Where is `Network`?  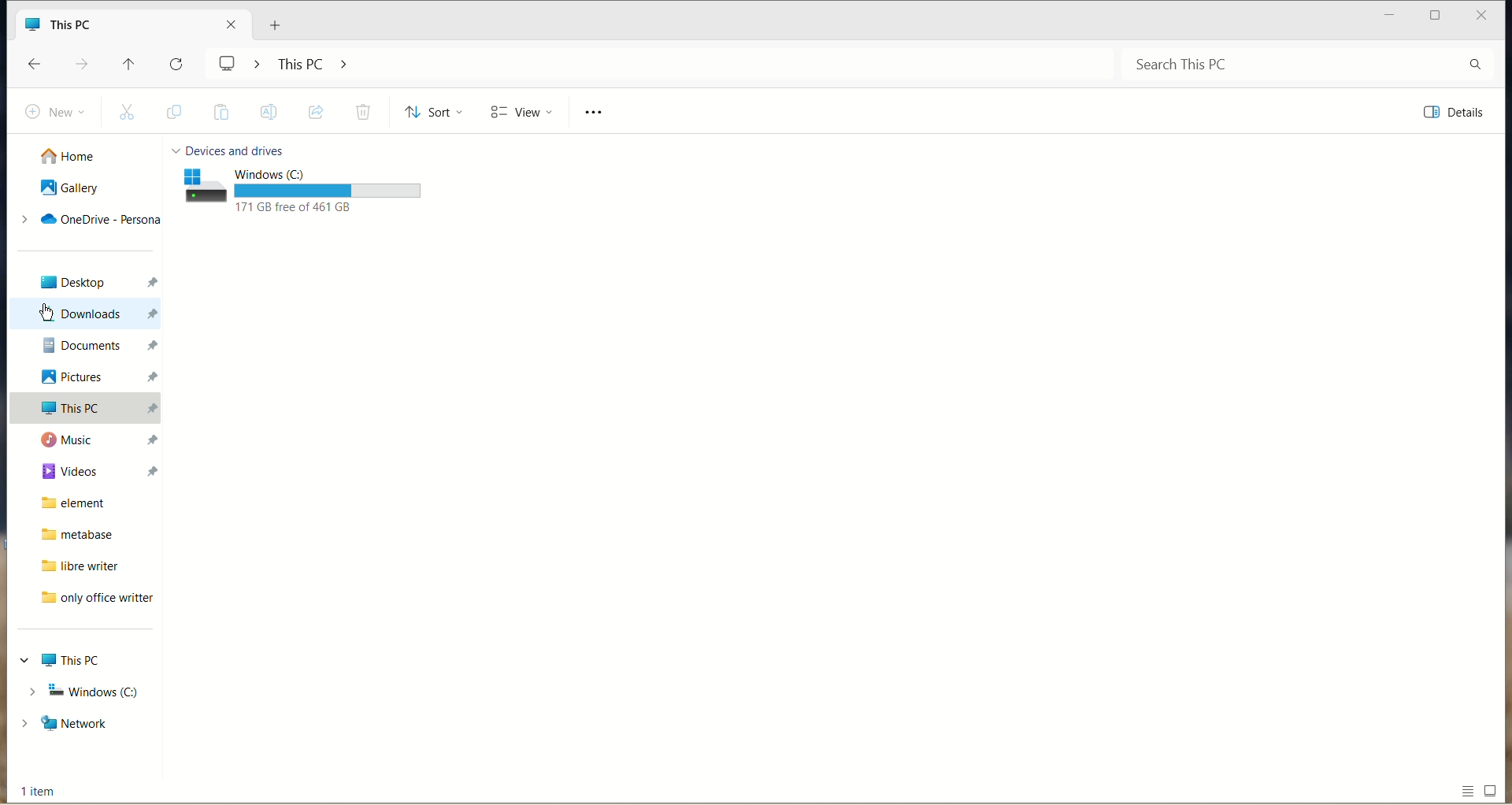
Network is located at coordinates (83, 721).